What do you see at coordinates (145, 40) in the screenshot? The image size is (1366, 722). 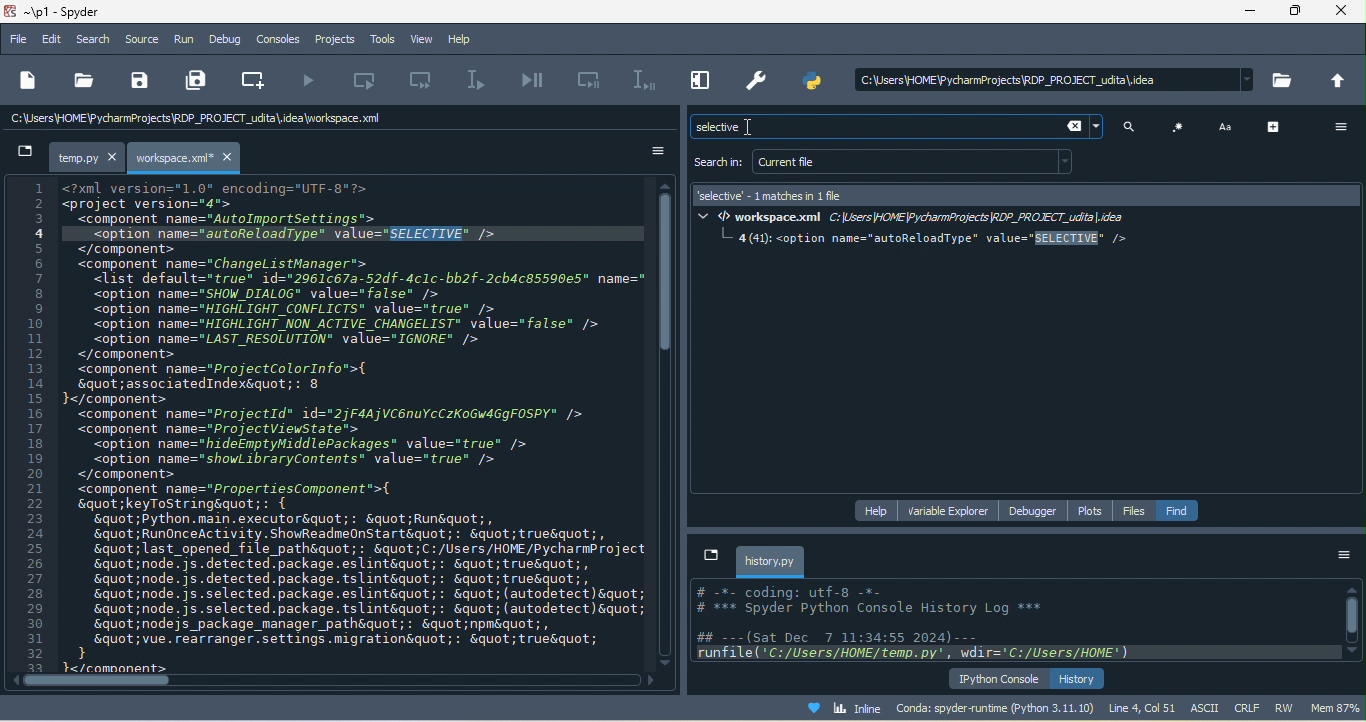 I see `source` at bounding box center [145, 40].